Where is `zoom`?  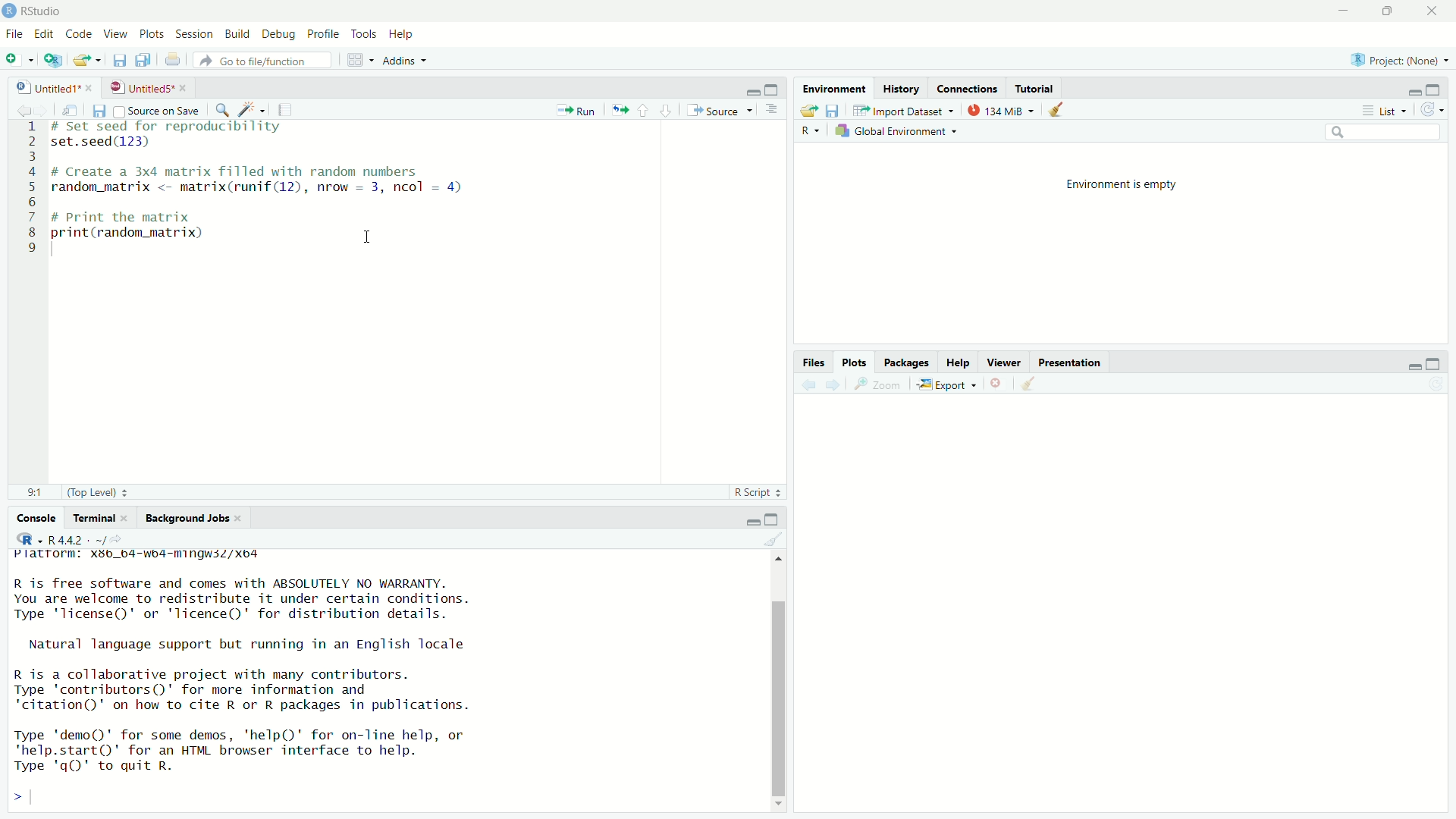
zoom is located at coordinates (876, 387).